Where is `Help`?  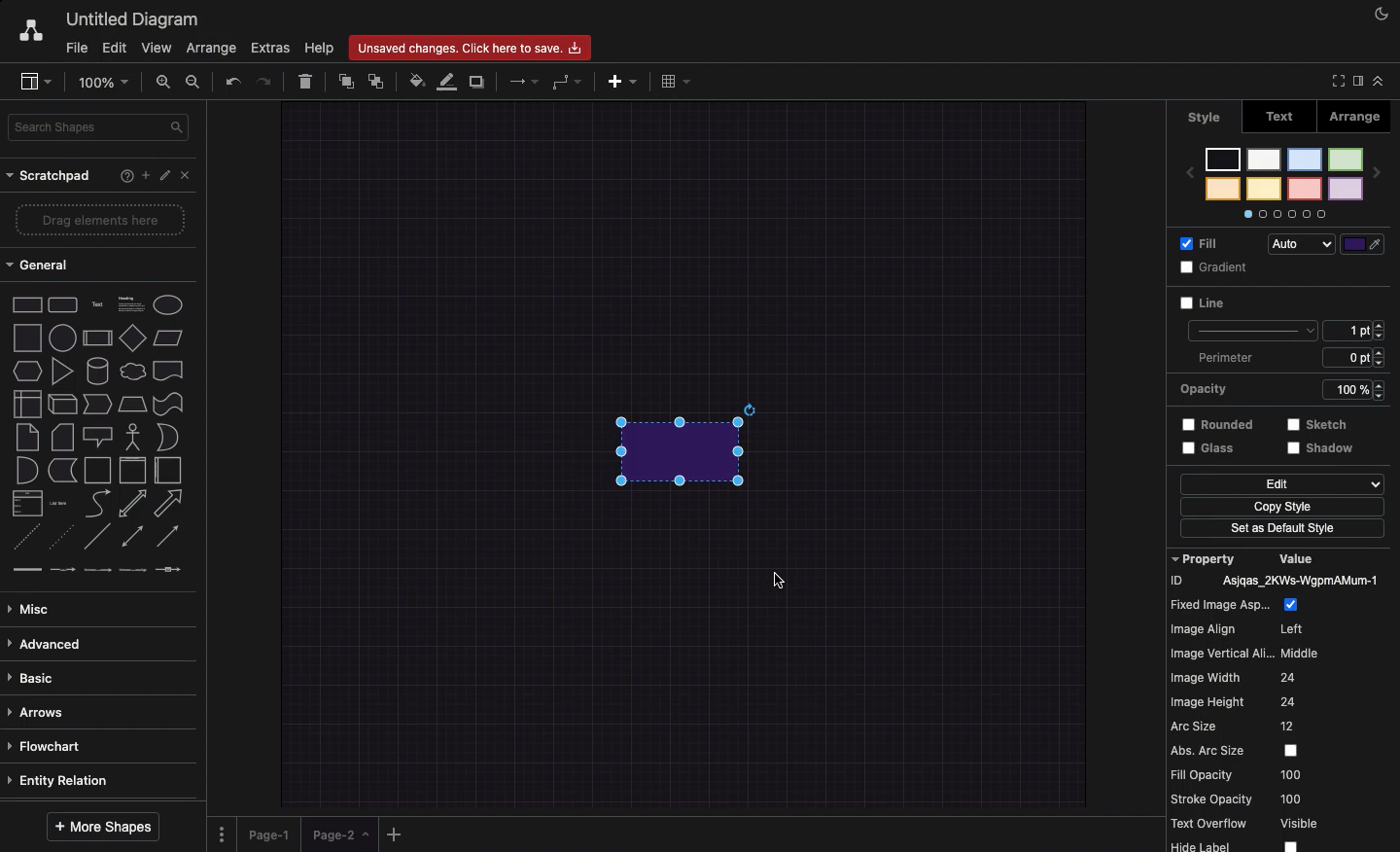 Help is located at coordinates (320, 48).